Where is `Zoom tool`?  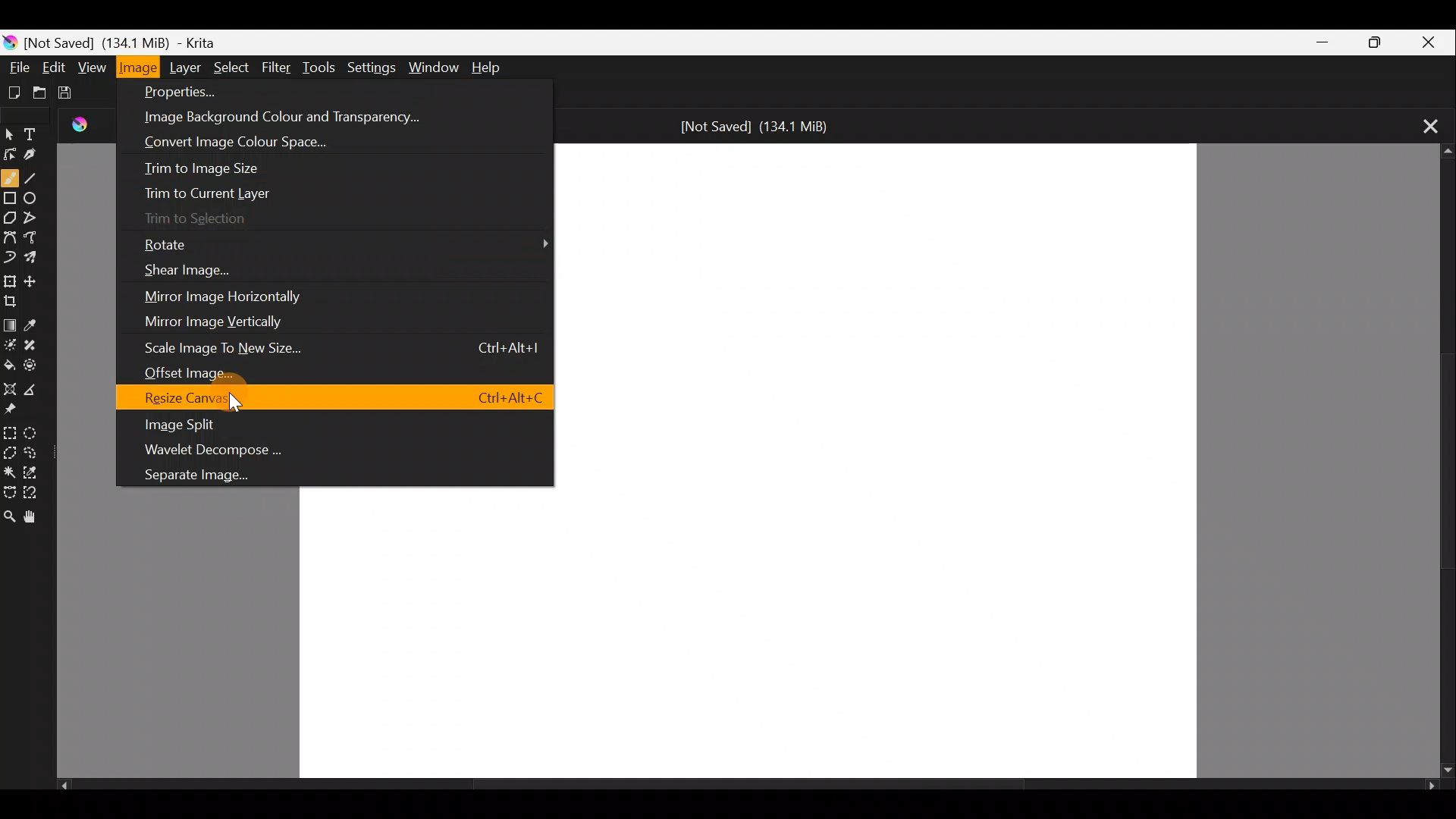 Zoom tool is located at coordinates (9, 517).